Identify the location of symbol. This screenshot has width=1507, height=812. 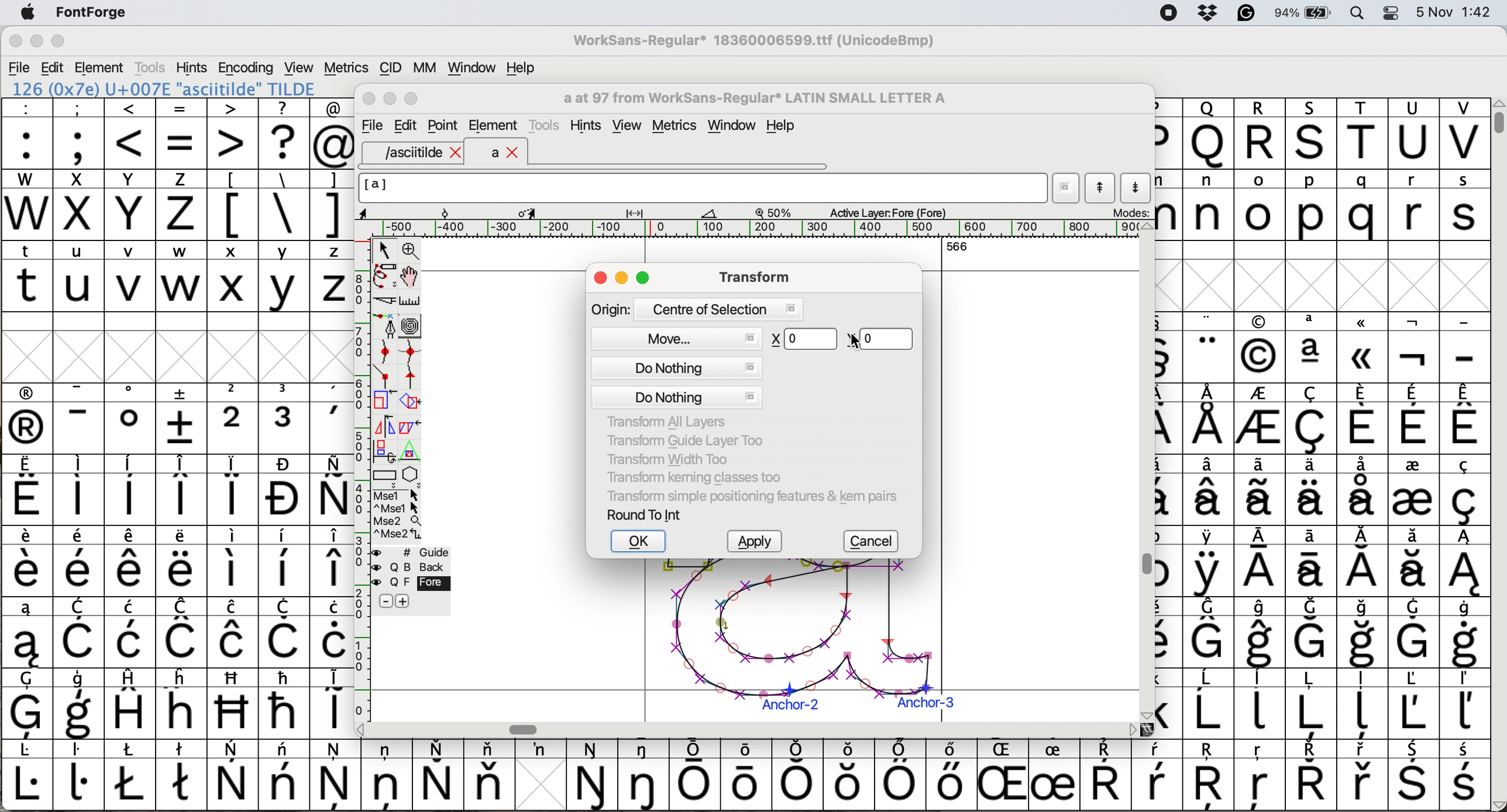
(696, 775).